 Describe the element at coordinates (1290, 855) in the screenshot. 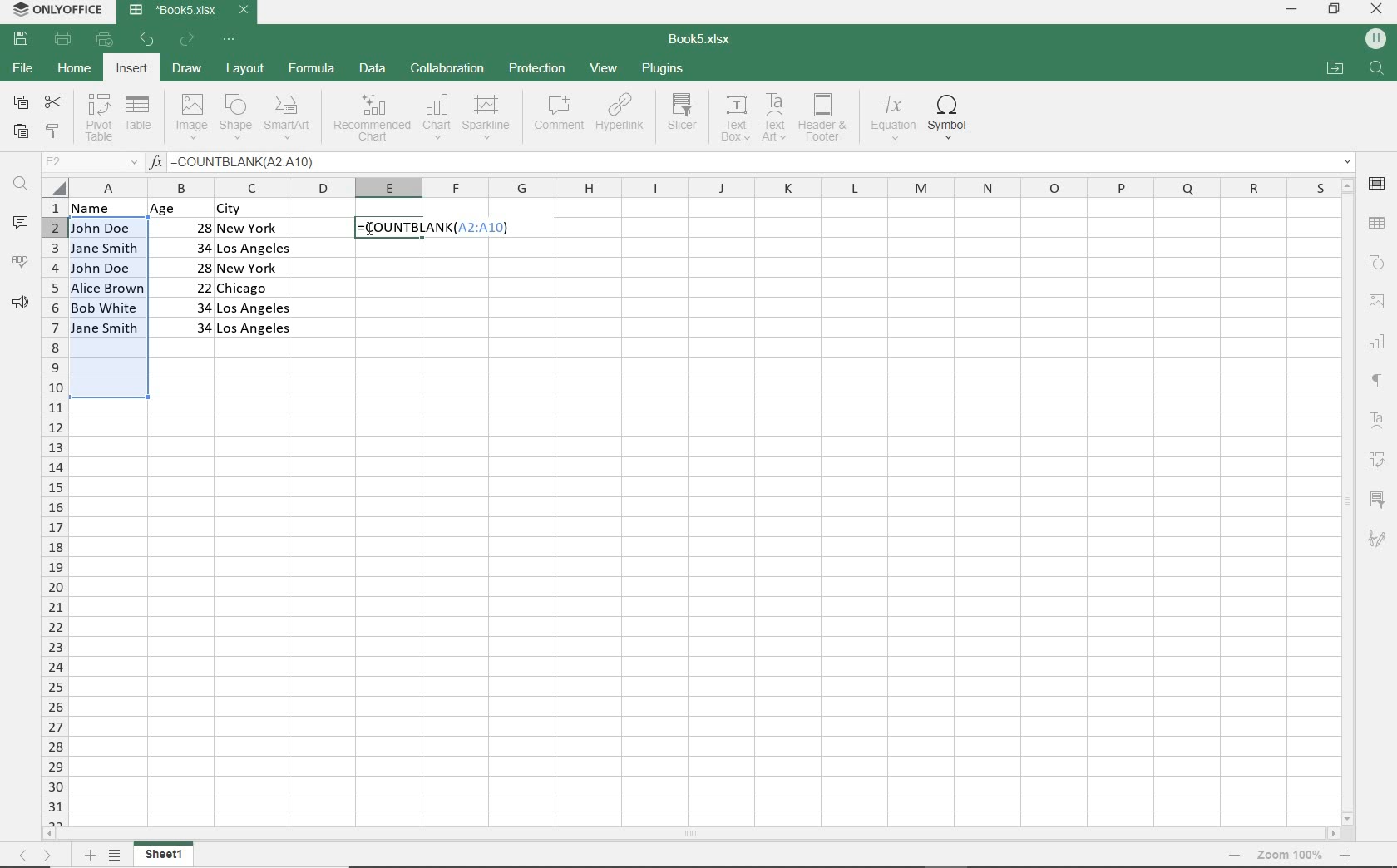

I see `zoom 100%` at that location.